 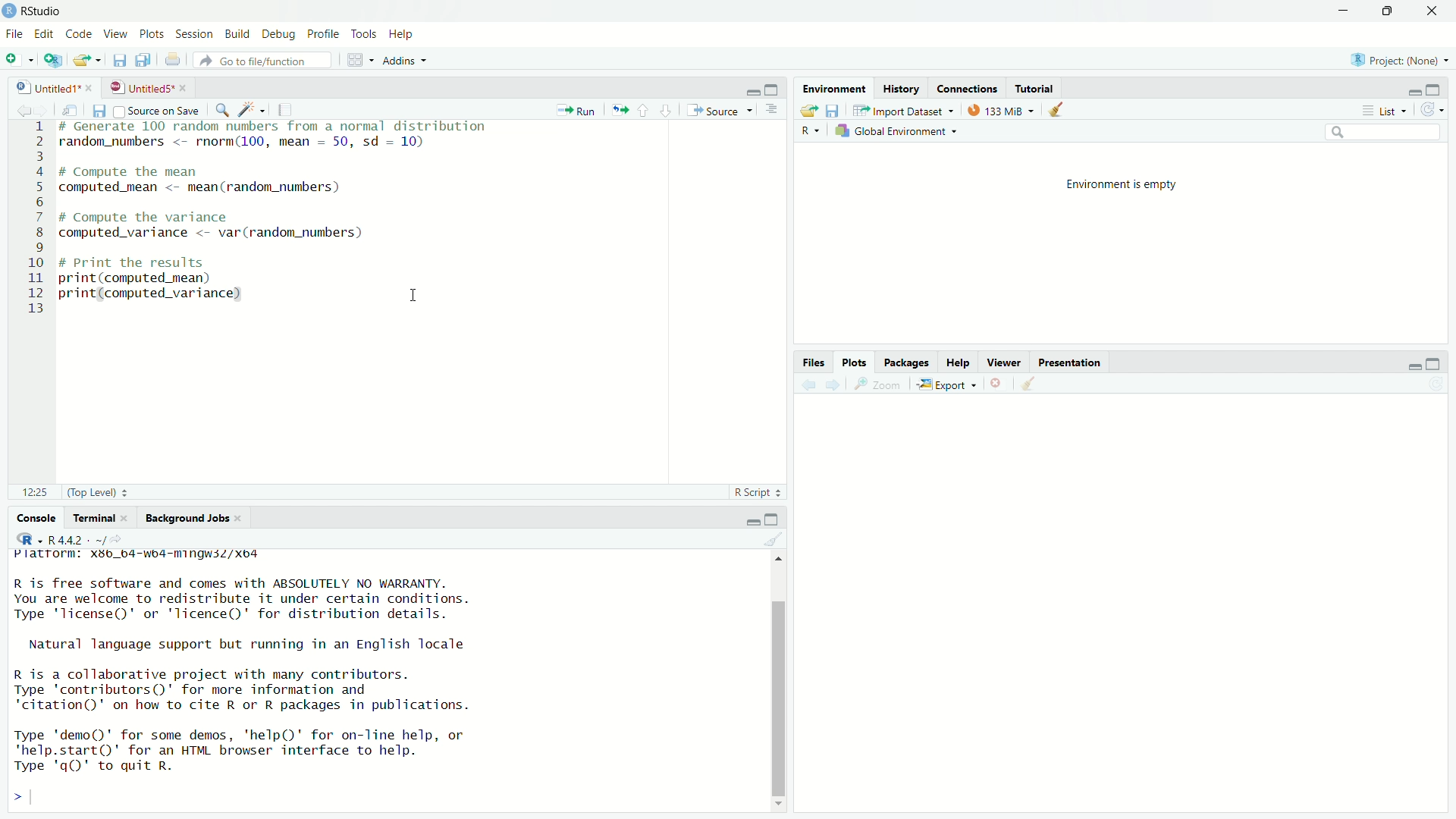 I want to click on random_numbers <- rnorm(100, mean = 50, sd = 10), so click(x=262, y=142).